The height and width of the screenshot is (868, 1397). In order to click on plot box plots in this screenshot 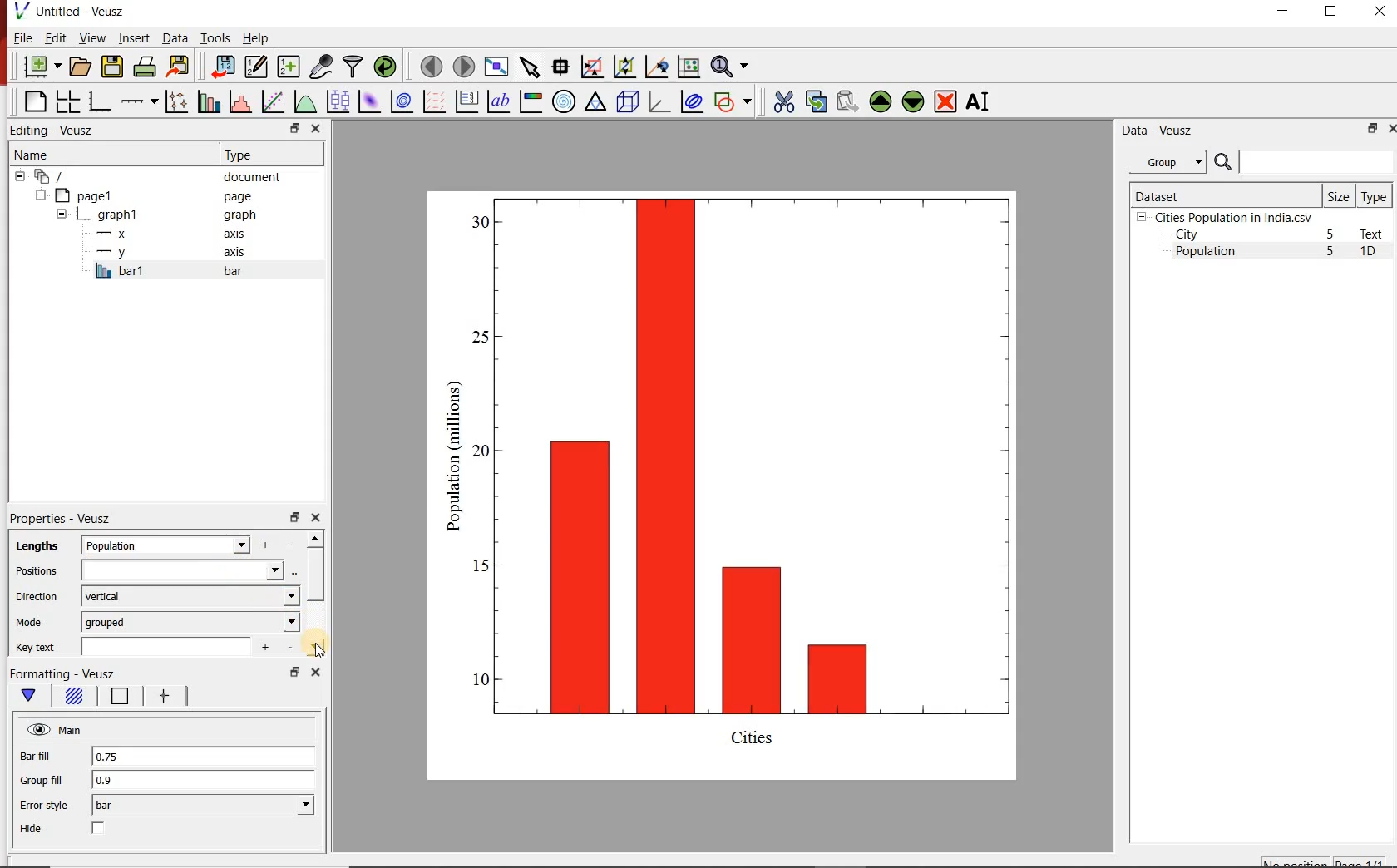, I will do `click(337, 101)`.